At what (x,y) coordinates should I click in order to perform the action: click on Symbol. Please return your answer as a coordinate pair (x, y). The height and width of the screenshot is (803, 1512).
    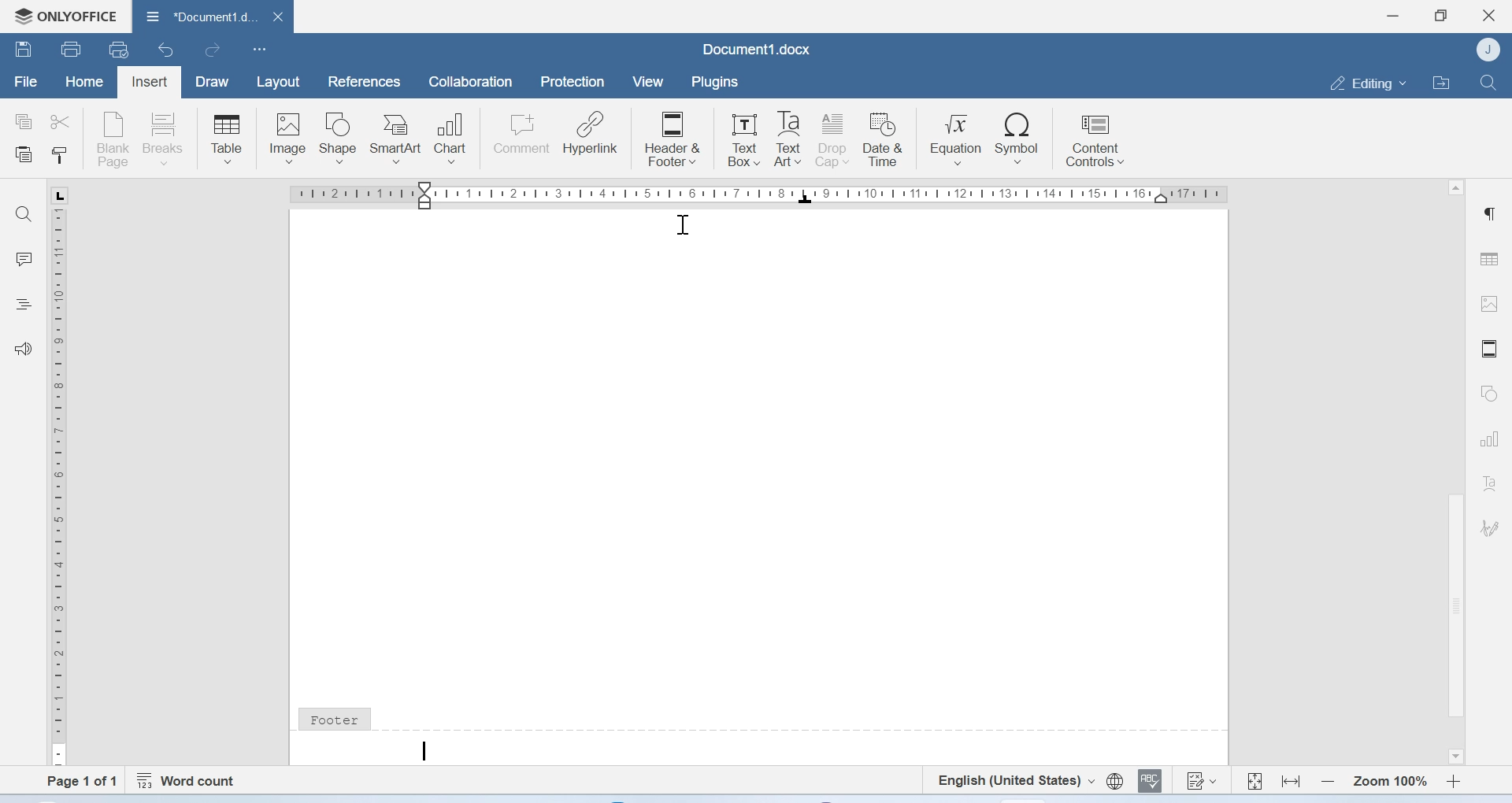
    Looking at the image, I should click on (1017, 139).